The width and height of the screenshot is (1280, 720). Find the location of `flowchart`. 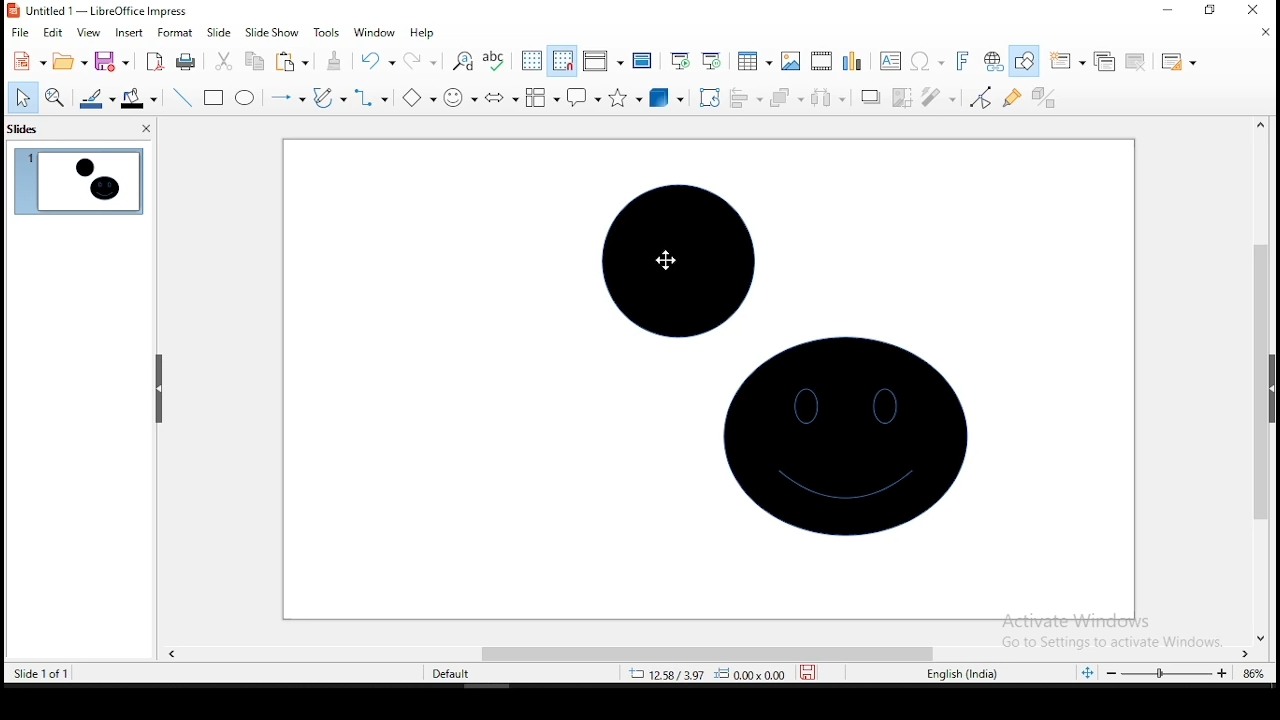

flowchart is located at coordinates (542, 100).